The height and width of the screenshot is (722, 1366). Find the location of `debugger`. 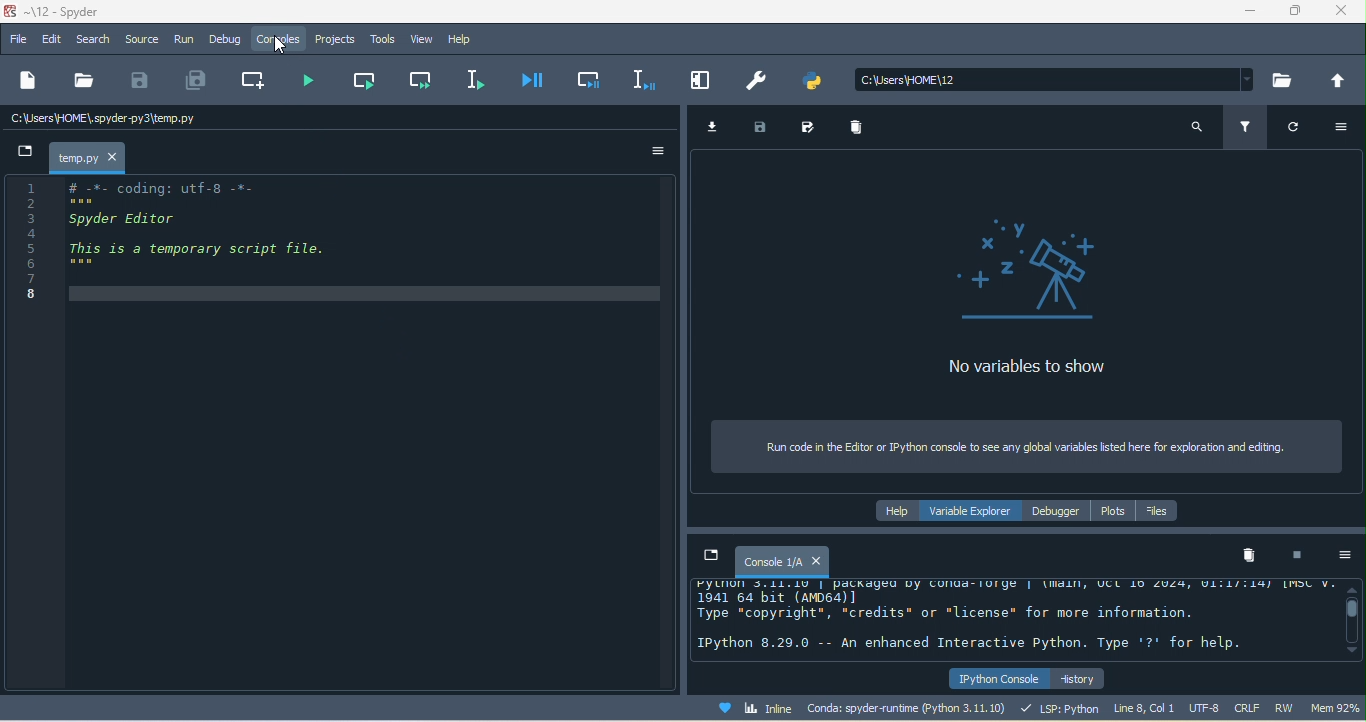

debugger is located at coordinates (1057, 512).